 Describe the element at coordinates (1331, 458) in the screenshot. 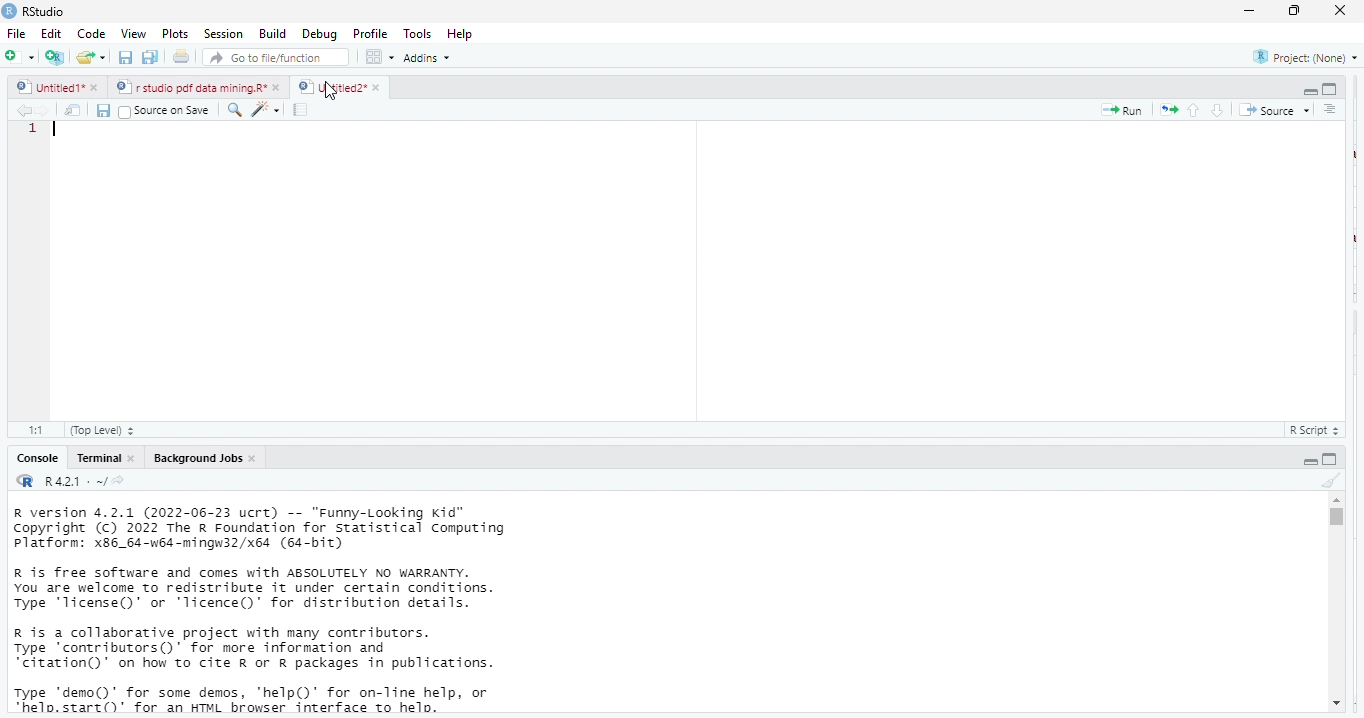

I see `hide console` at that location.